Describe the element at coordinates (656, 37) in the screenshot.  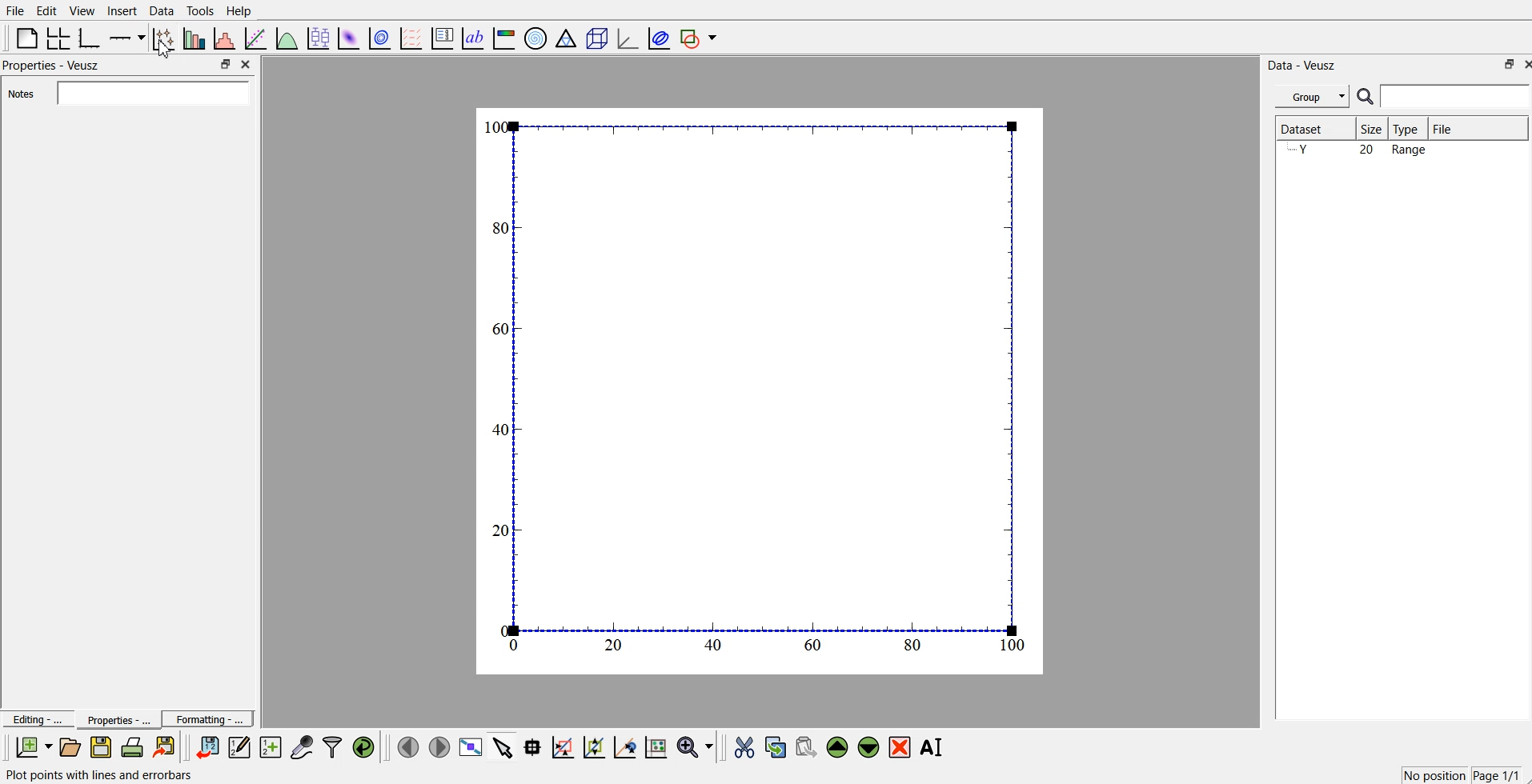
I see `plot covariance ellipses` at that location.